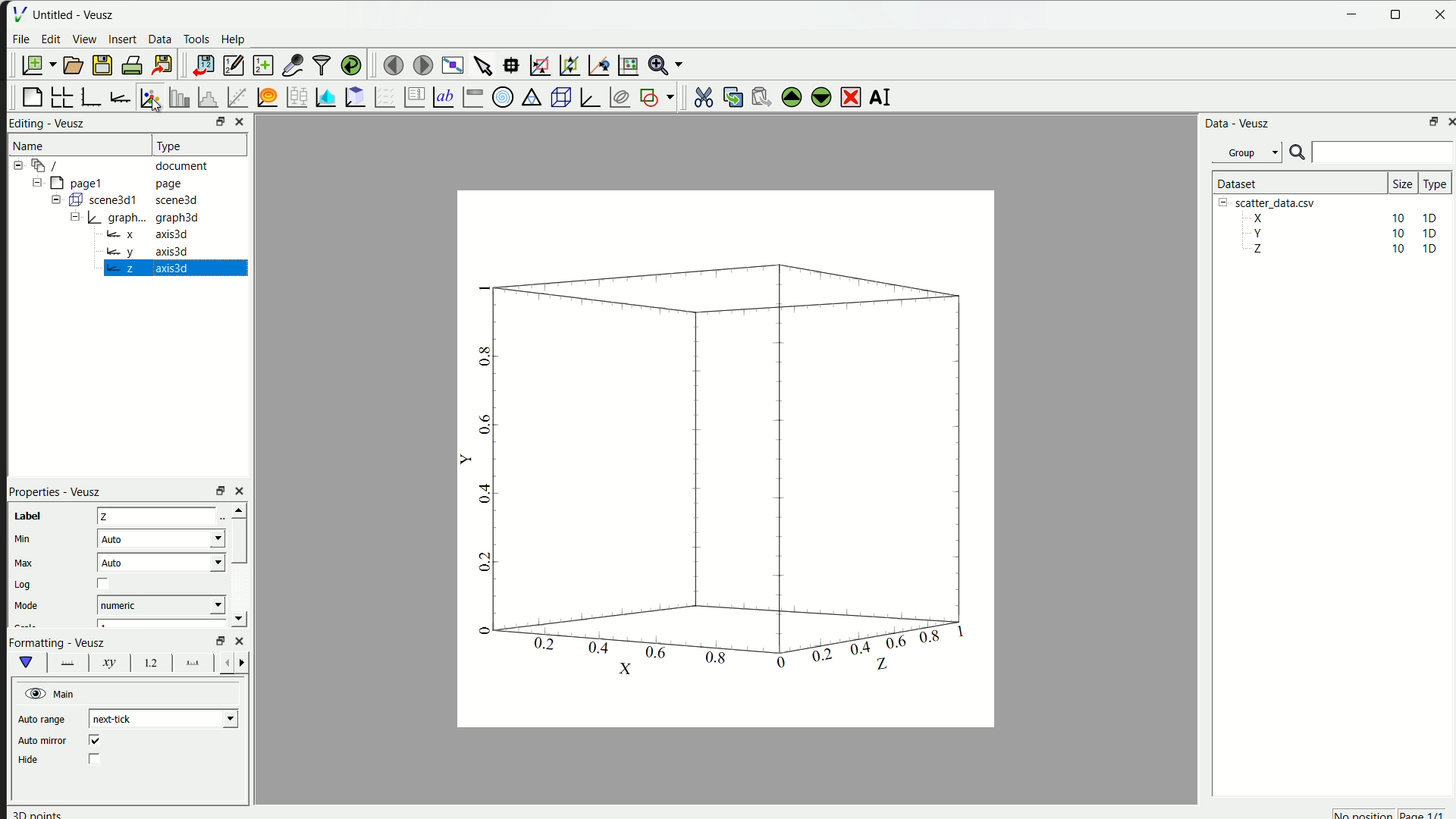 The height and width of the screenshot is (819, 1456). What do you see at coordinates (242, 620) in the screenshot?
I see `down` at bounding box center [242, 620].